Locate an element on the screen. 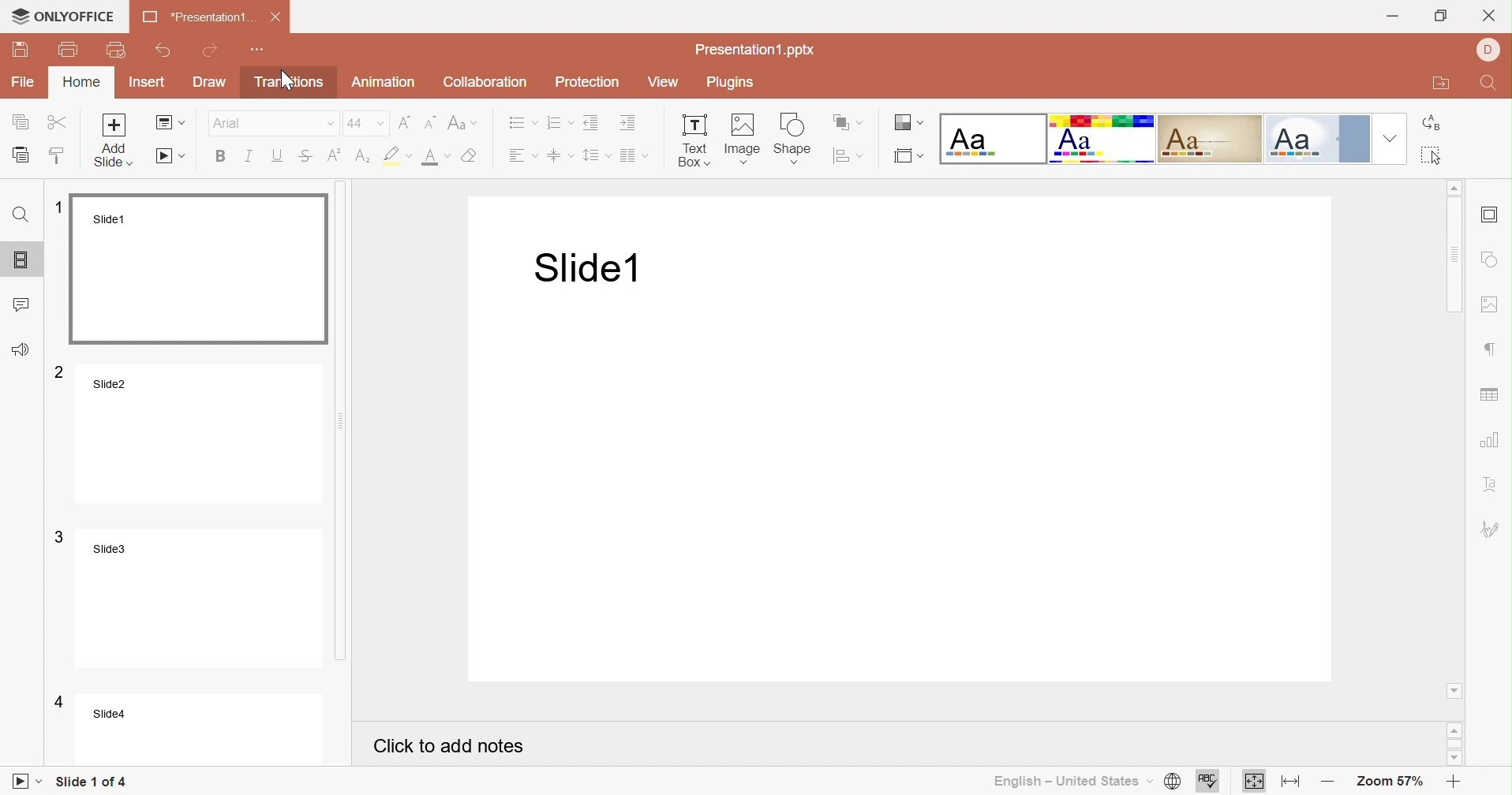 The height and width of the screenshot is (795, 1512). File is located at coordinates (25, 82).